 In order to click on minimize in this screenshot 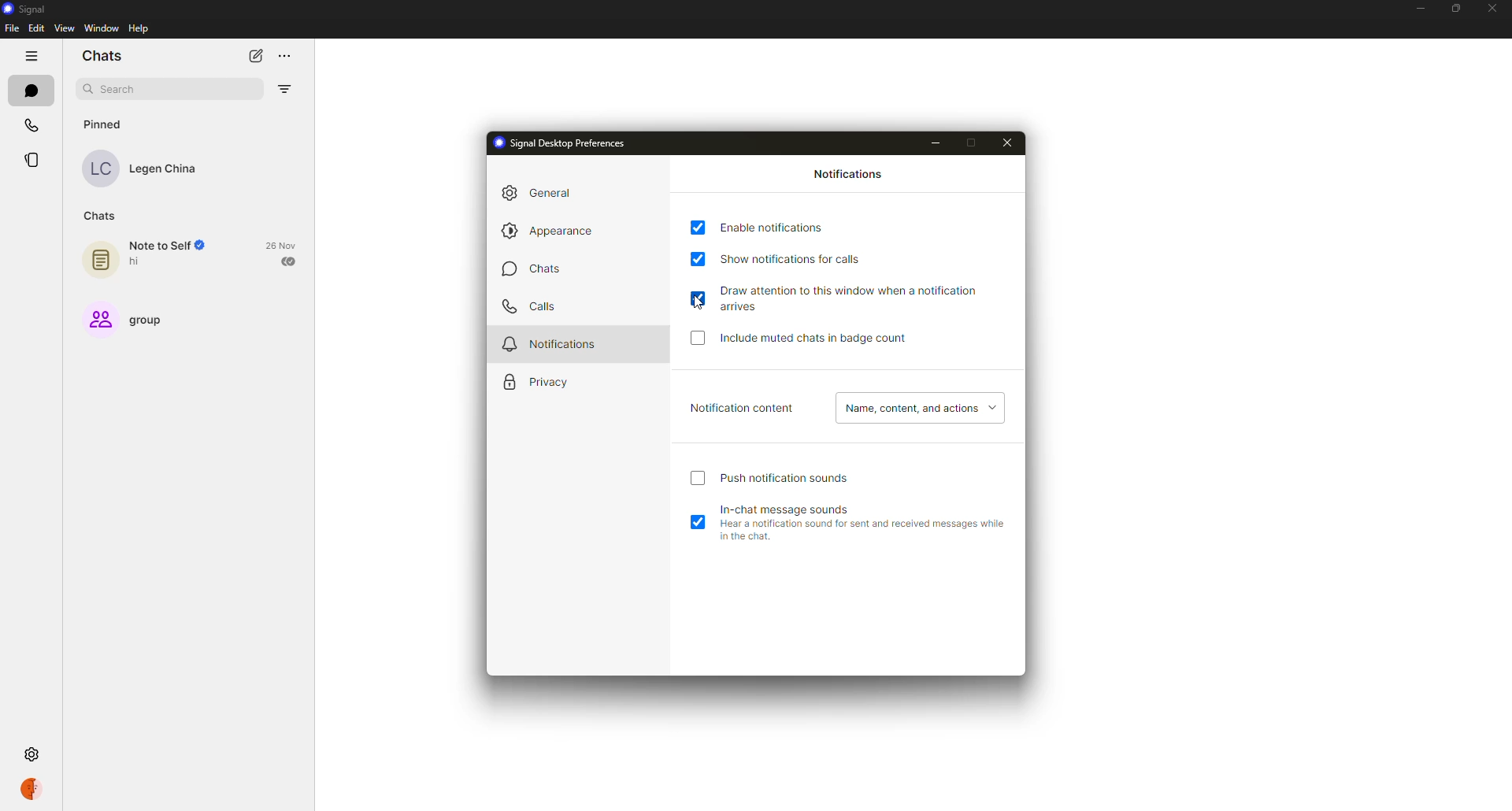, I will do `click(936, 145)`.